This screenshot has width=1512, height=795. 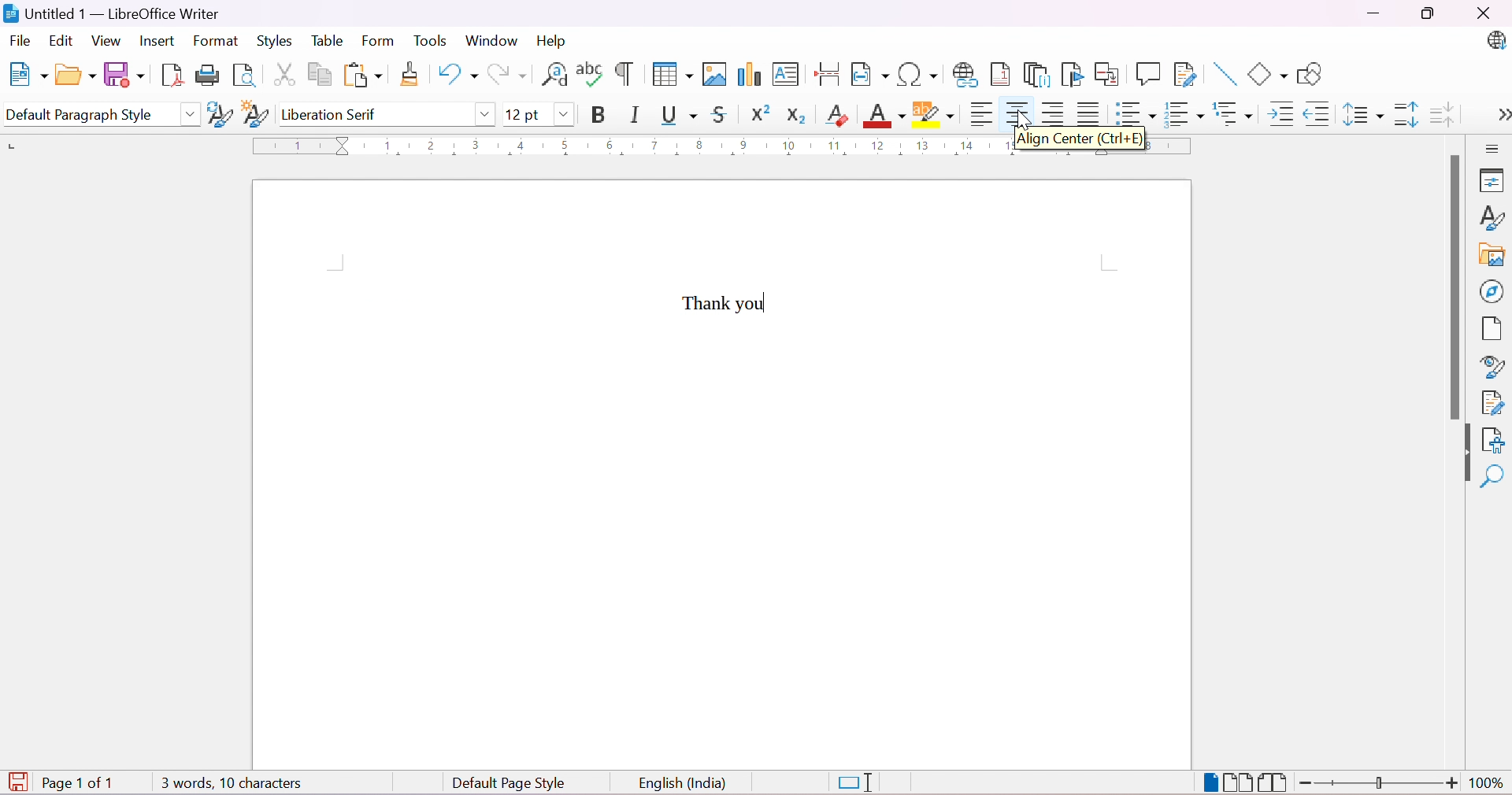 What do you see at coordinates (1380, 783) in the screenshot?
I see `Slider` at bounding box center [1380, 783].